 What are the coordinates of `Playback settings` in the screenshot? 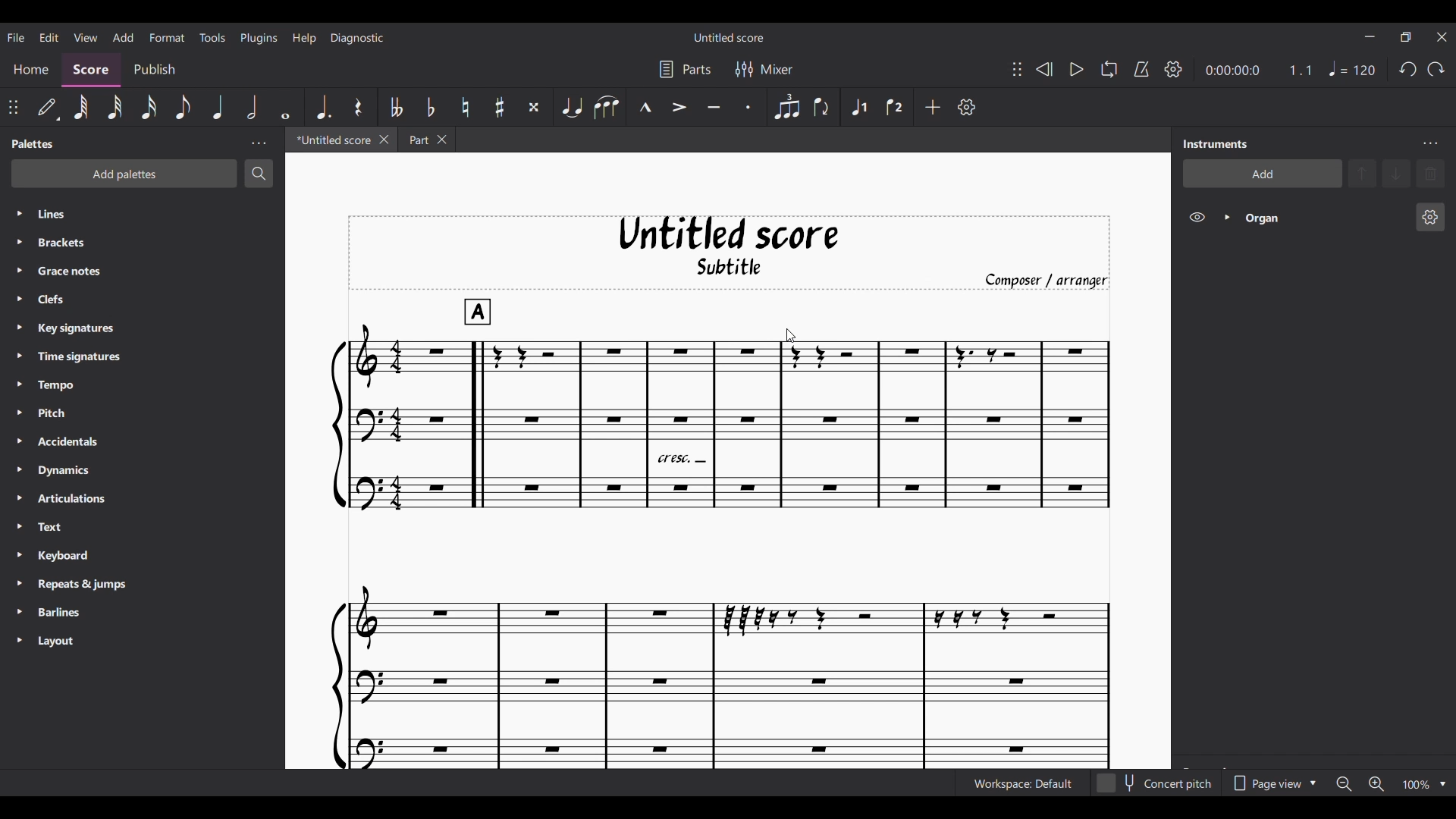 It's located at (1173, 69).